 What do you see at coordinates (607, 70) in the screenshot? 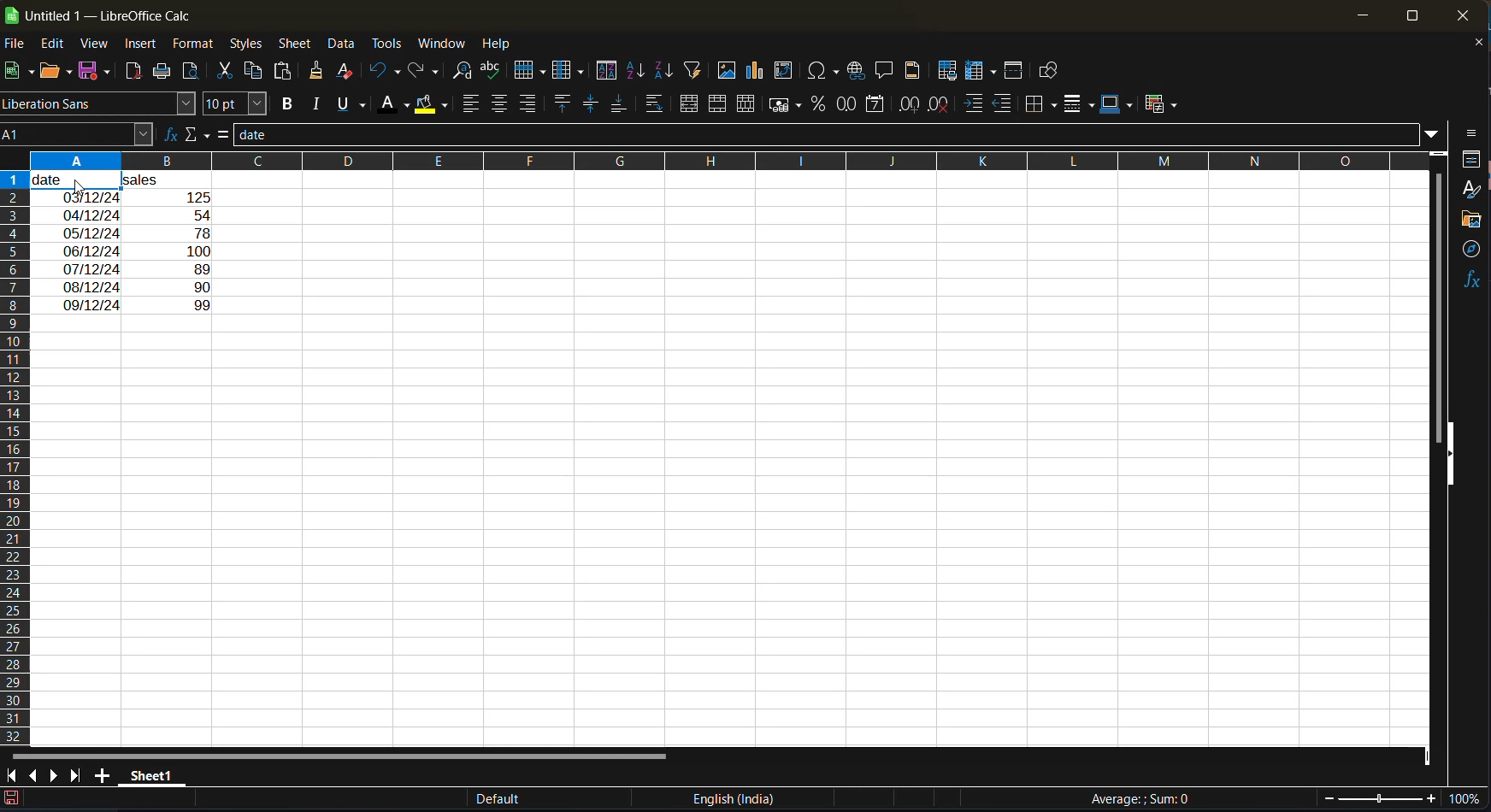
I see `sort` at bounding box center [607, 70].